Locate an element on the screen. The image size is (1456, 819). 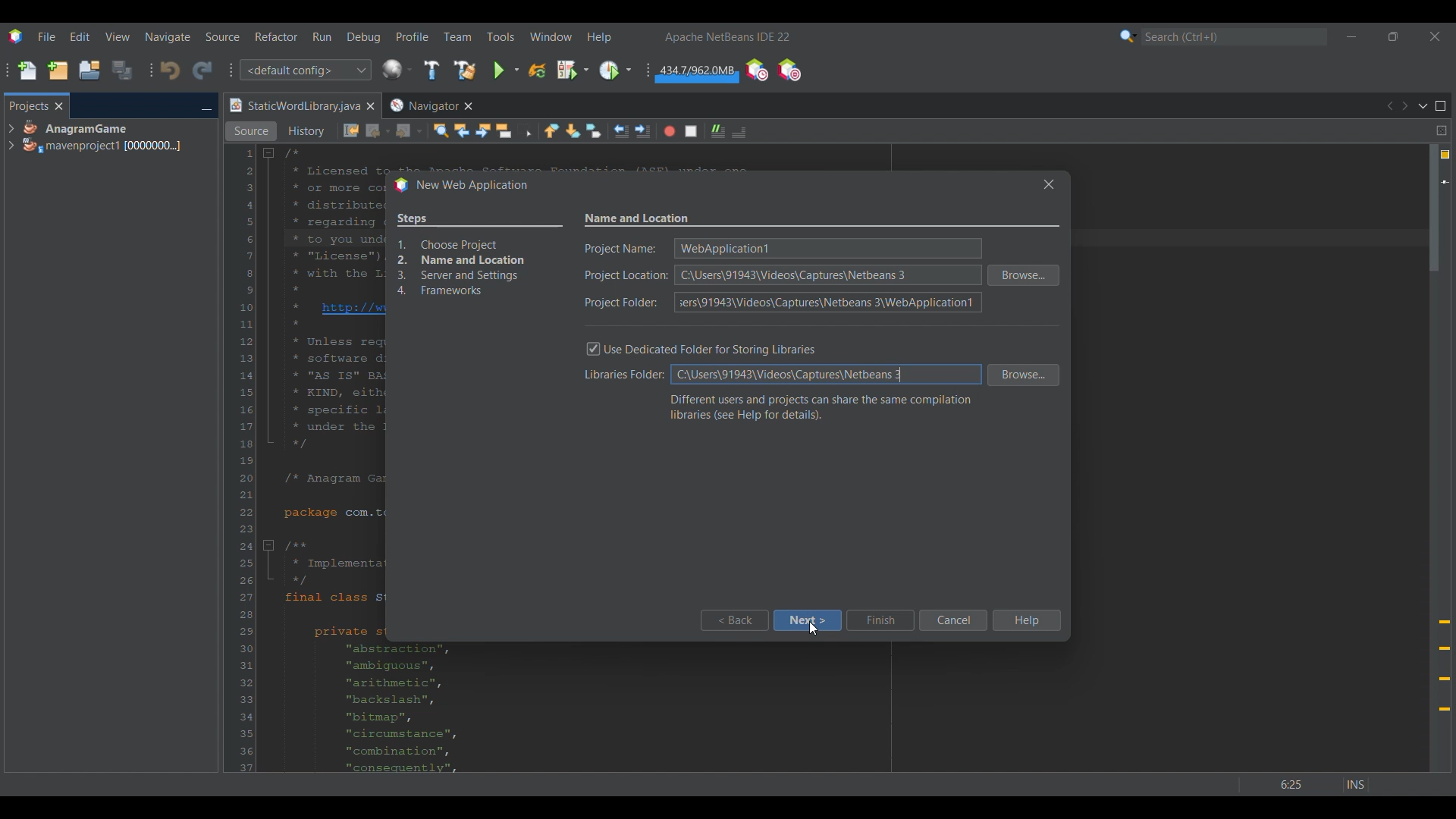
Previous bookmark is located at coordinates (551, 130).